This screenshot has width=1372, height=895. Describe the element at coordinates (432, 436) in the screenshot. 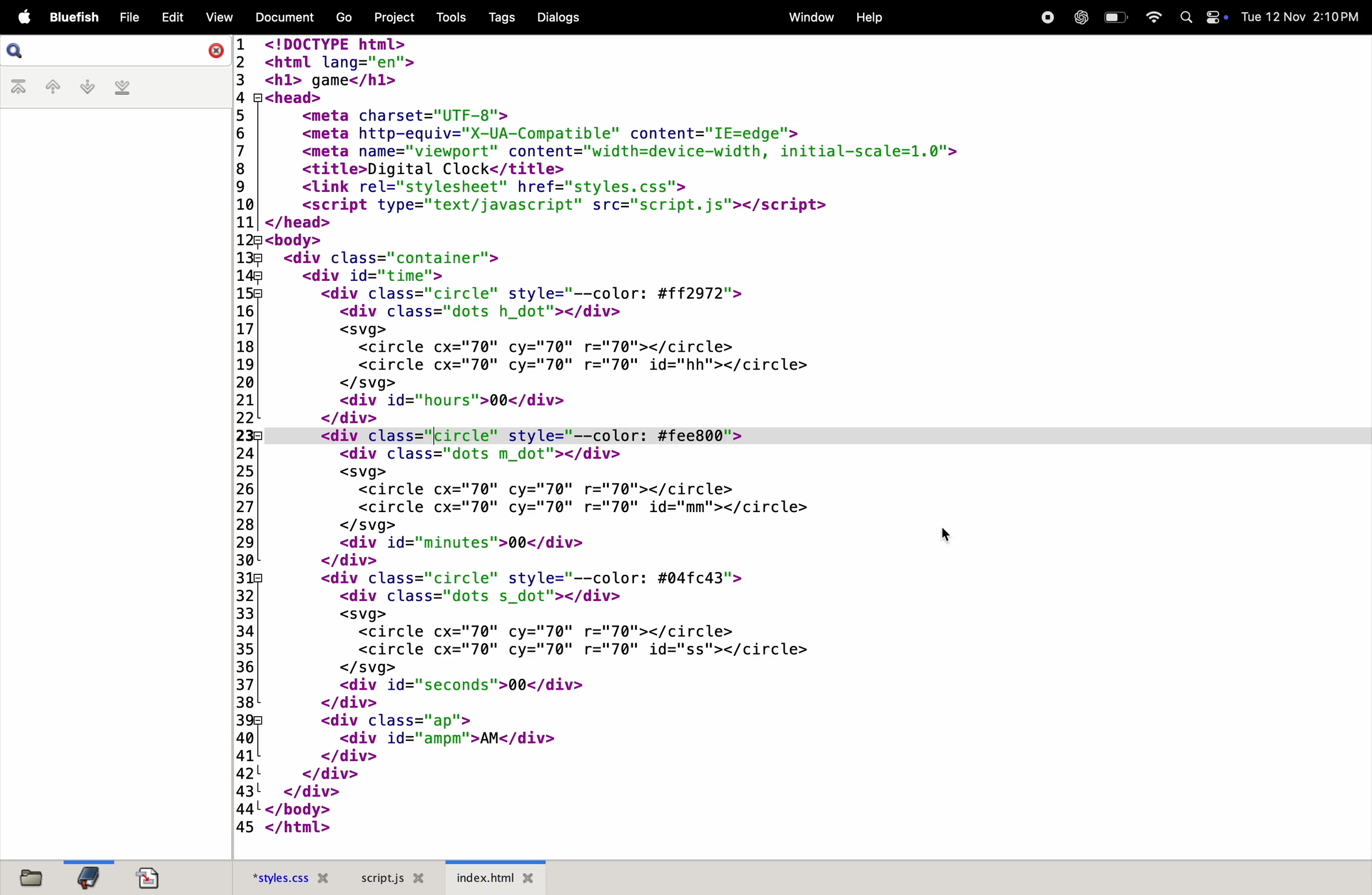

I see `cursor` at that location.